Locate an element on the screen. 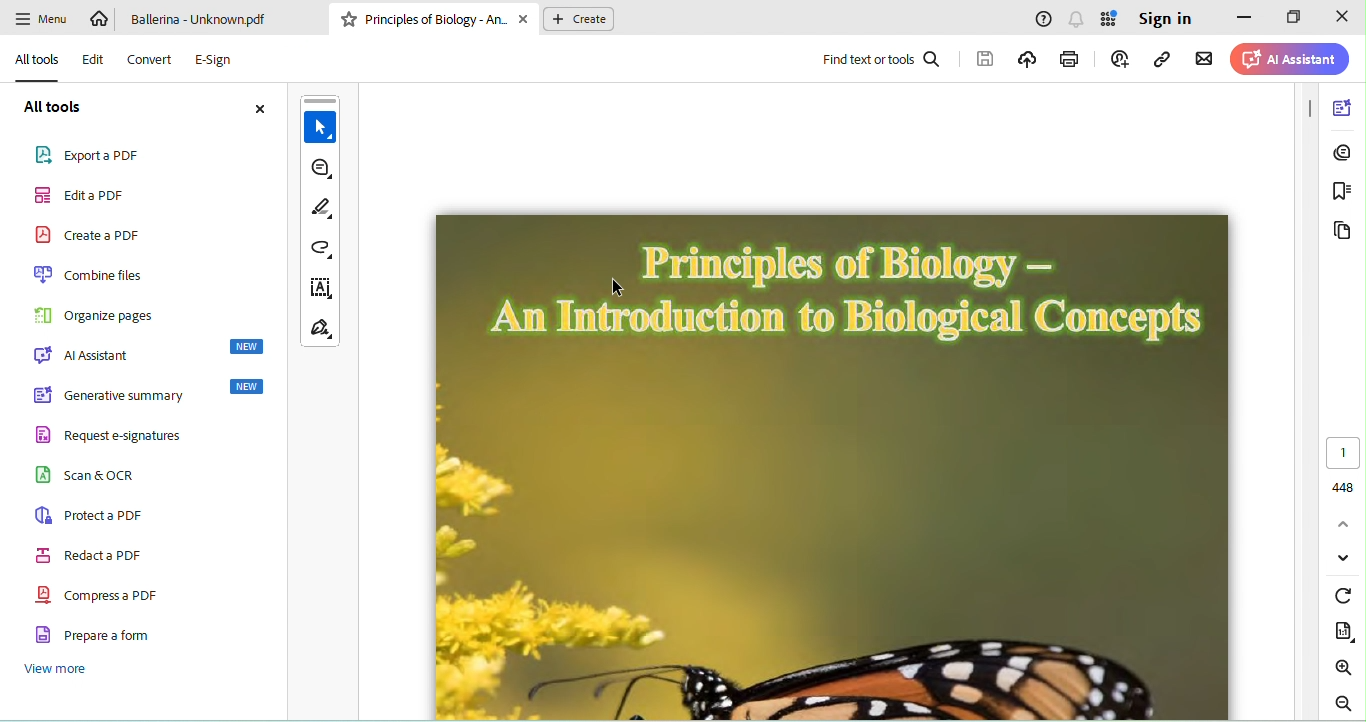  close is located at coordinates (1340, 17).